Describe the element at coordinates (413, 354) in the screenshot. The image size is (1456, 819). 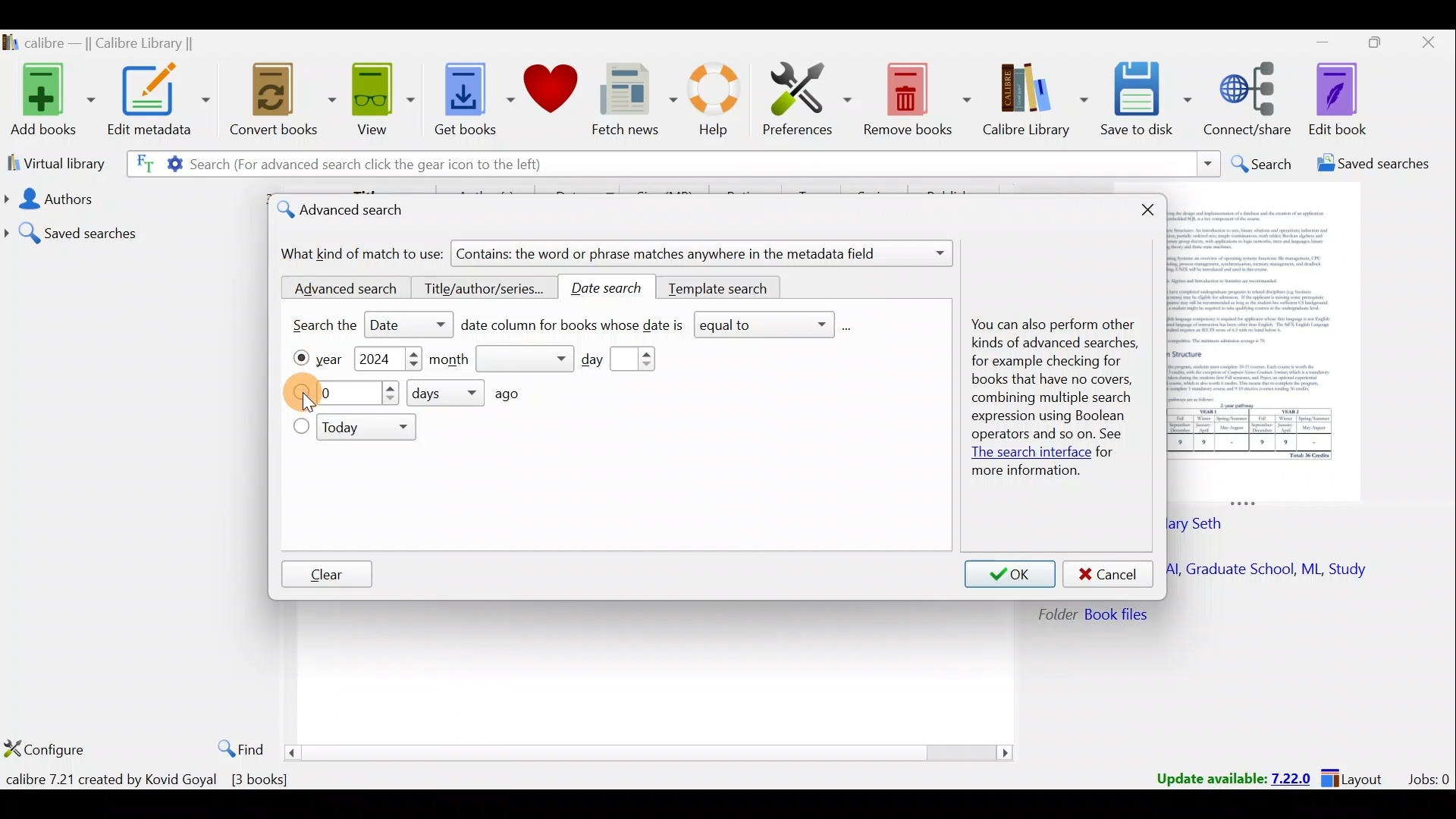
I see `Increase` at that location.